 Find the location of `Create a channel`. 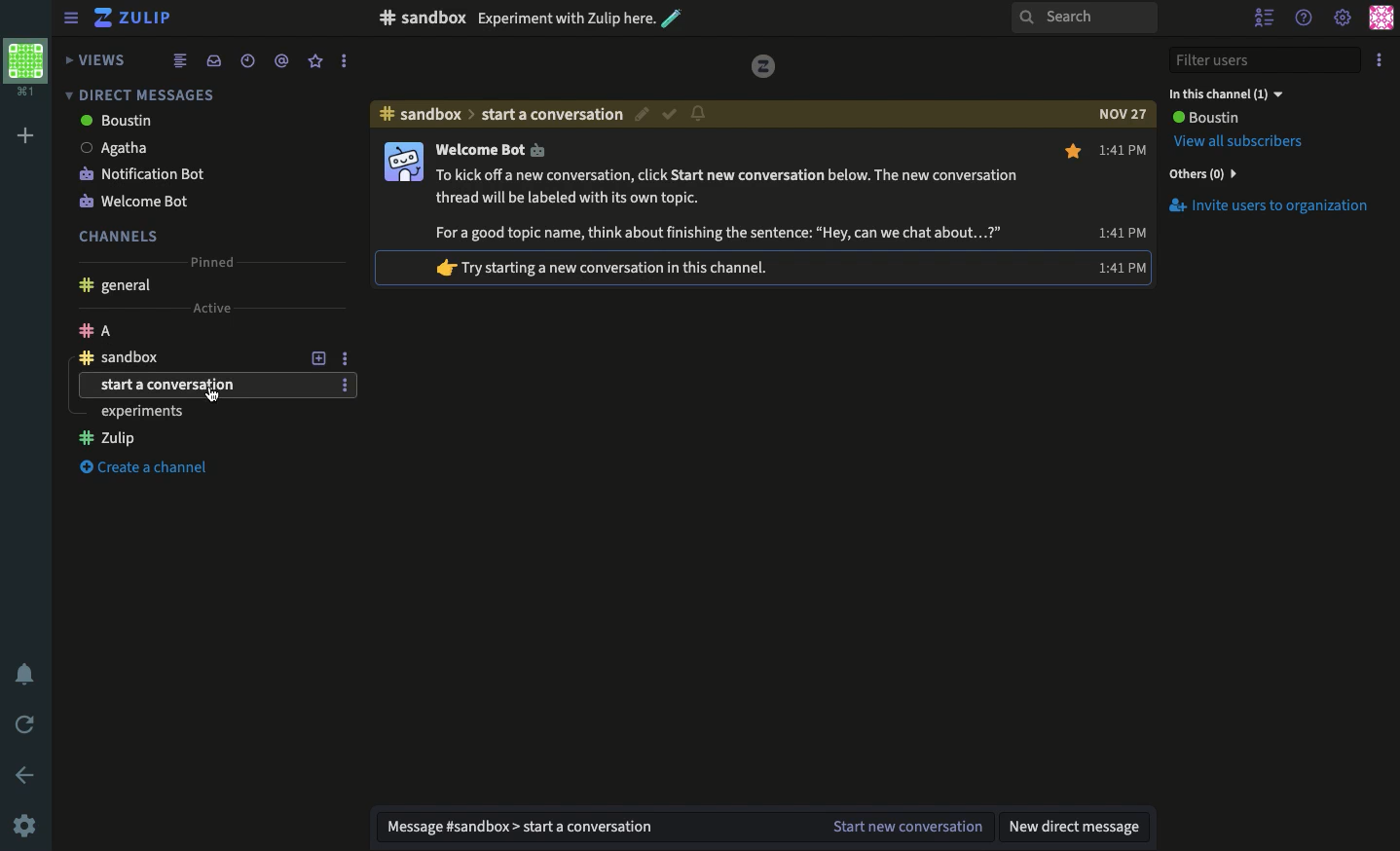

Create a channel is located at coordinates (154, 469).